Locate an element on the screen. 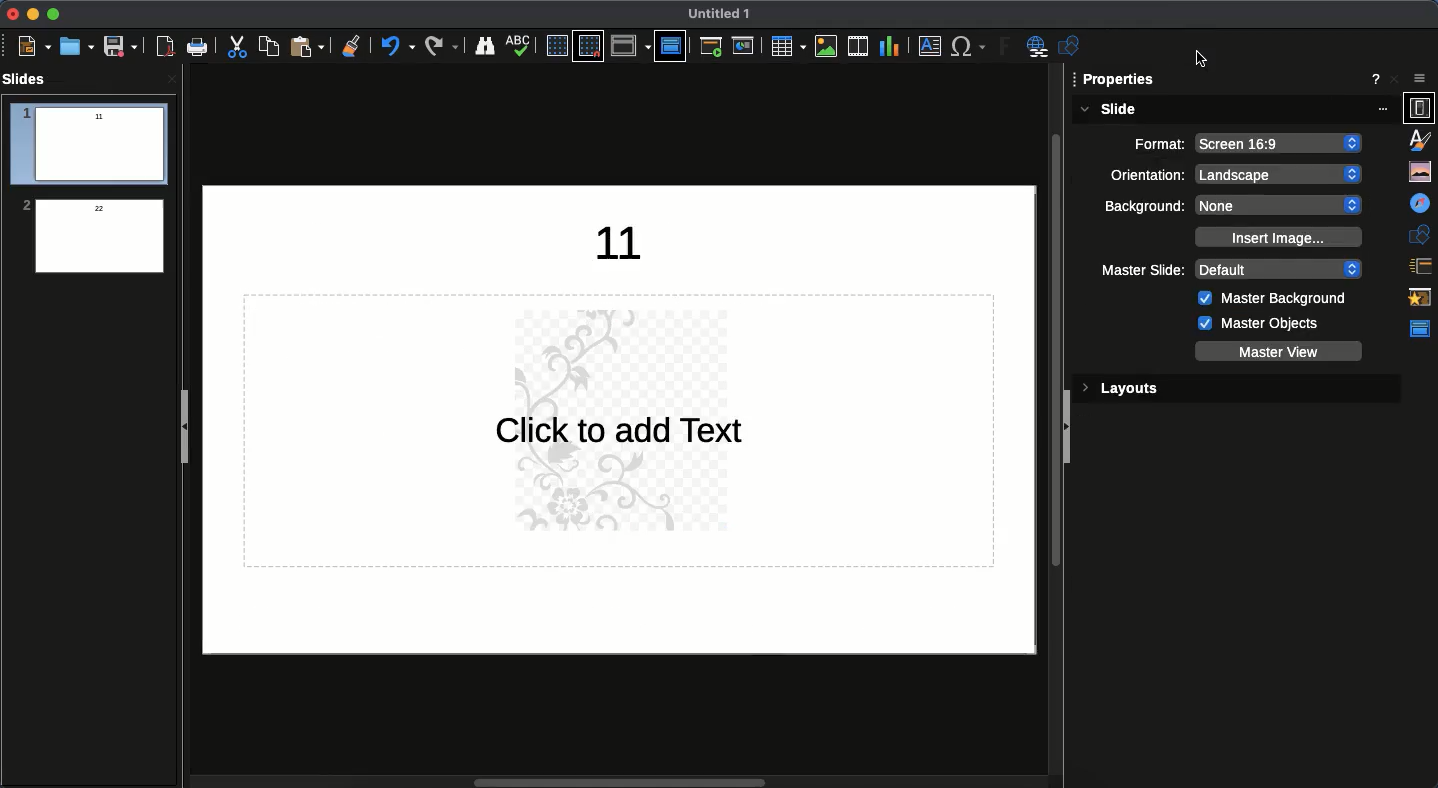 Image resolution: width=1438 pixels, height=788 pixels. Master view is located at coordinates (1282, 352).